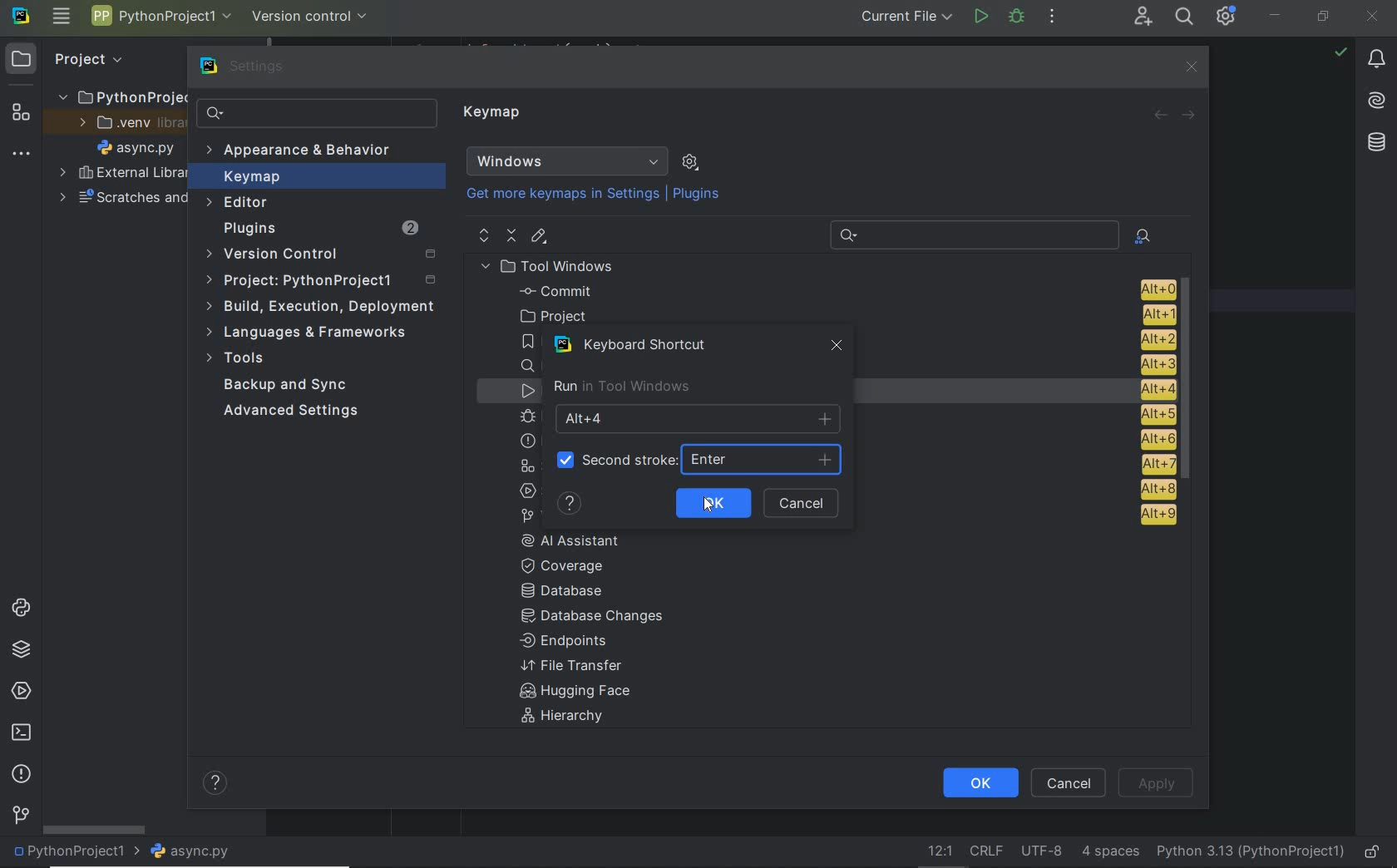 Image resolution: width=1397 pixels, height=868 pixels. What do you see at coordinates (136, 147) in the screenshot?
I see `file name` at bounding box center [136, 147].